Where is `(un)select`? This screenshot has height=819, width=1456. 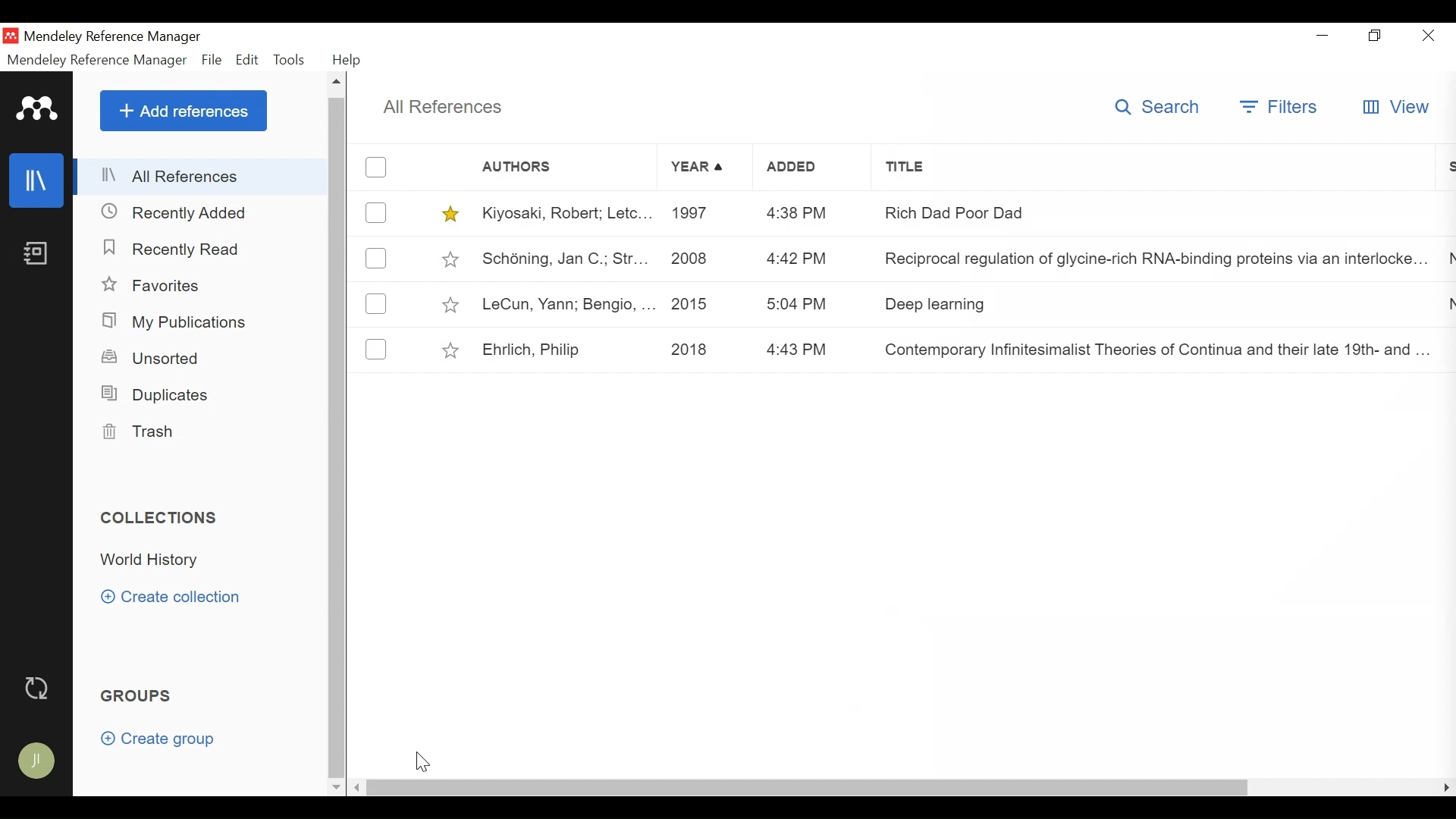
(un)select is located at coordinates (381, 259).